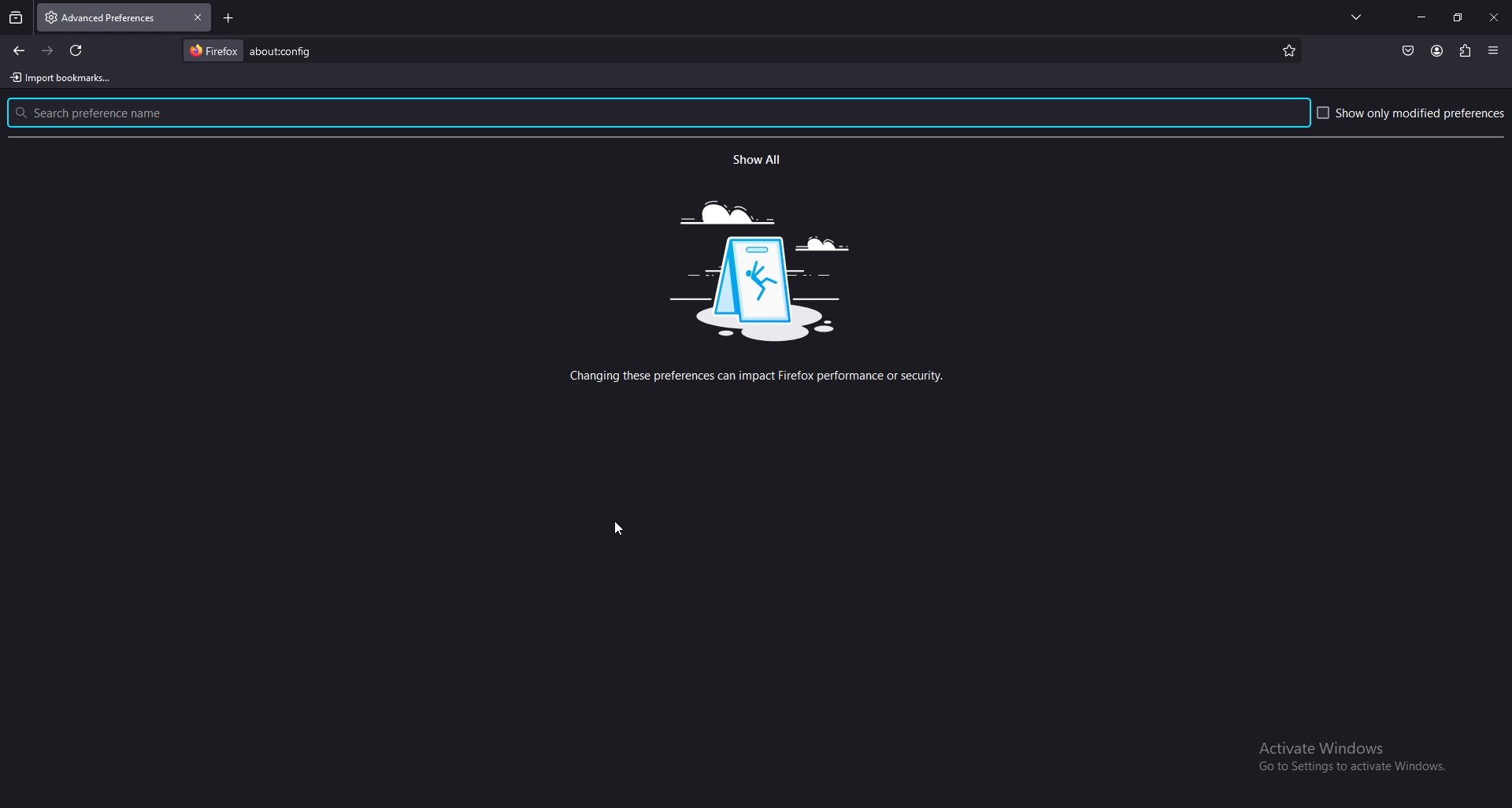 The width and height of the screenshot is (1512, 808). Describe the element at coordinates (17, 18) in the screenshot. I see `recent browsing` at that location.